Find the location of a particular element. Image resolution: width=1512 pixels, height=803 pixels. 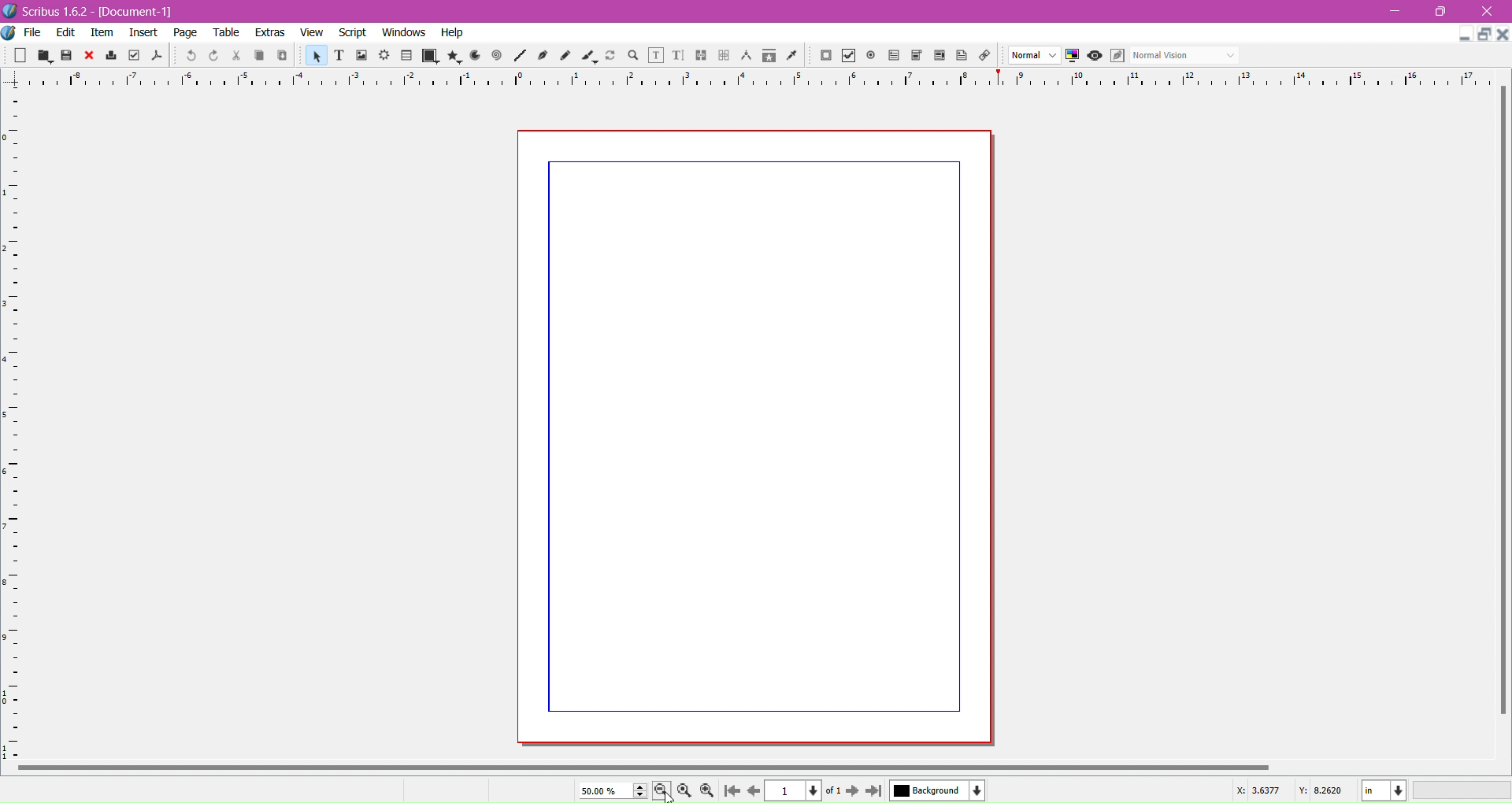

Zoom Level is located at coordinates (1462, 790).